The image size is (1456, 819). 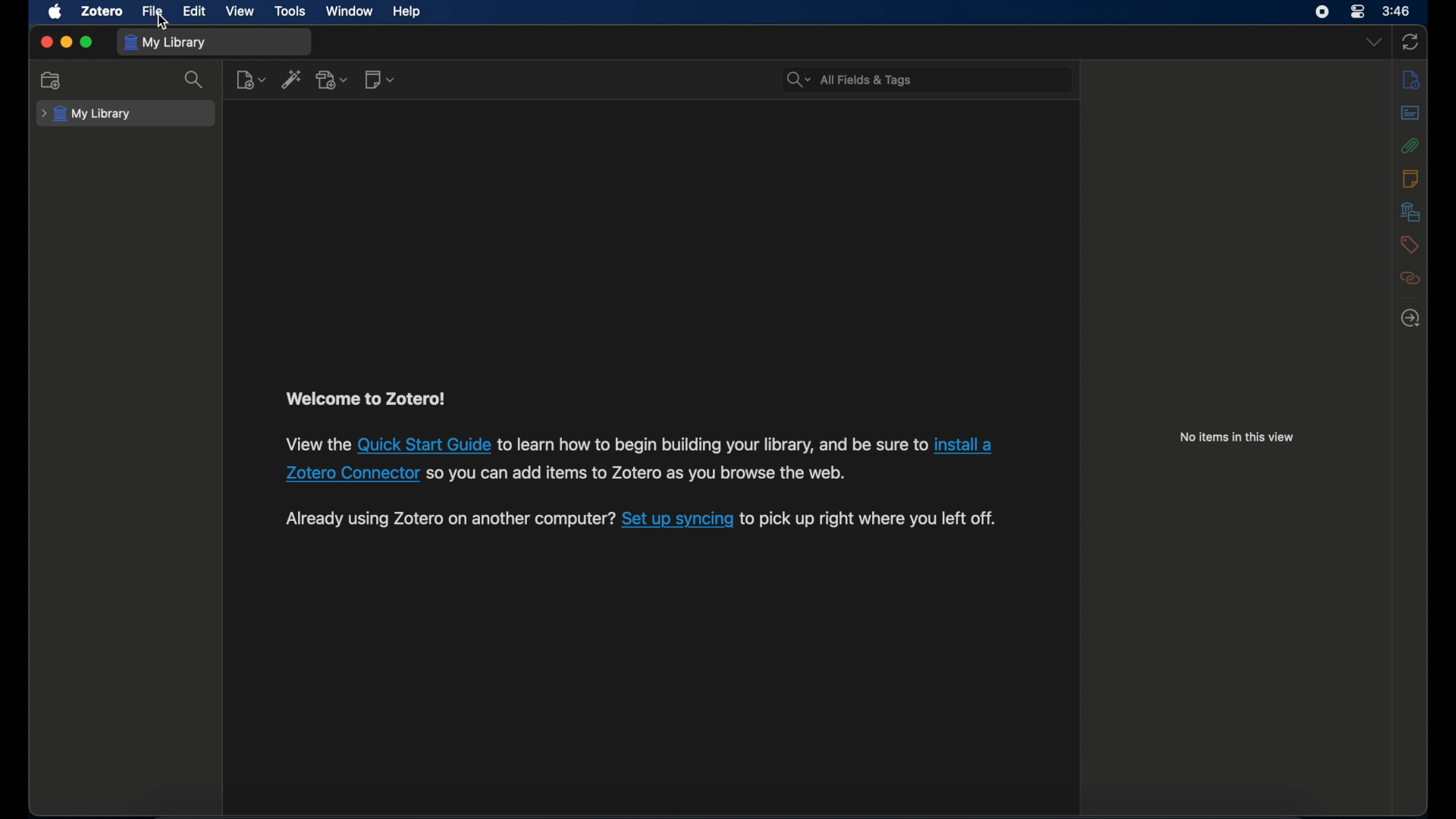 What do you see at coordinates (1410, 113) in the screenshot?
I see `abstract` at bounding box center [1410, 113].